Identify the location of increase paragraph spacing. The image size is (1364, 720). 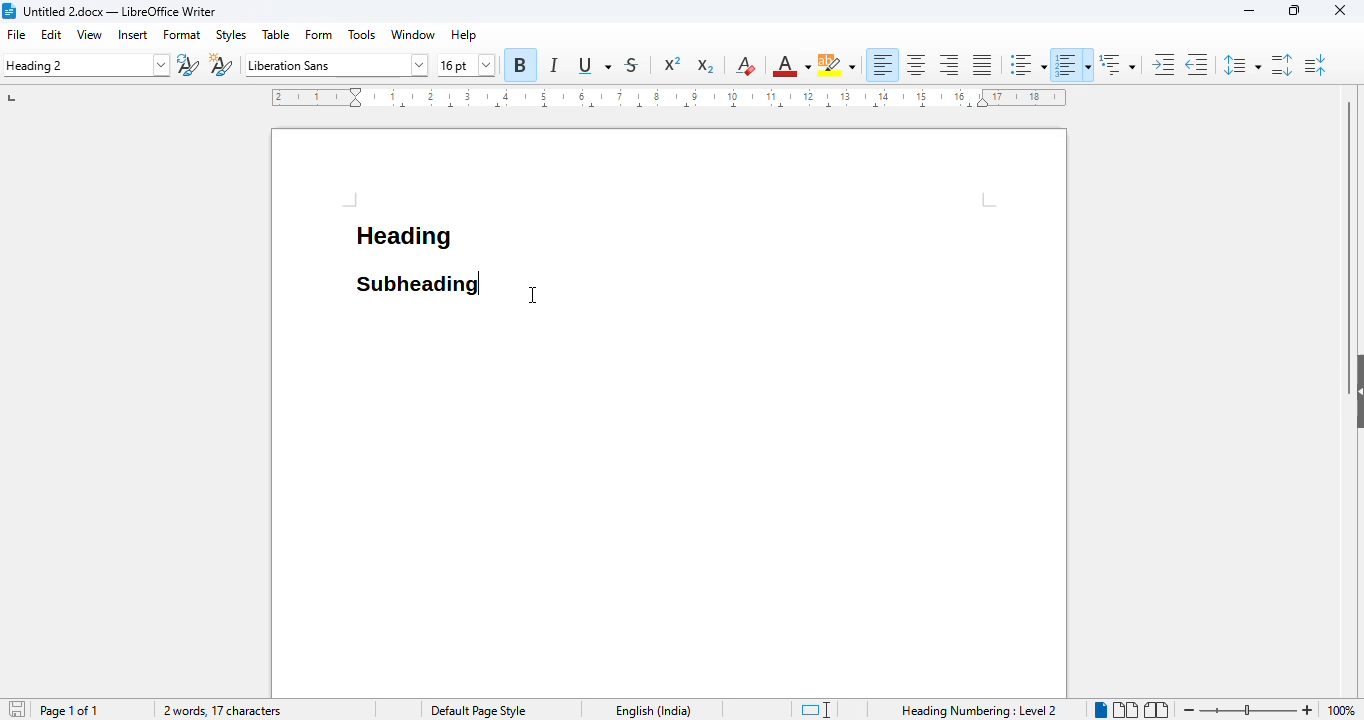
(1281, 65).